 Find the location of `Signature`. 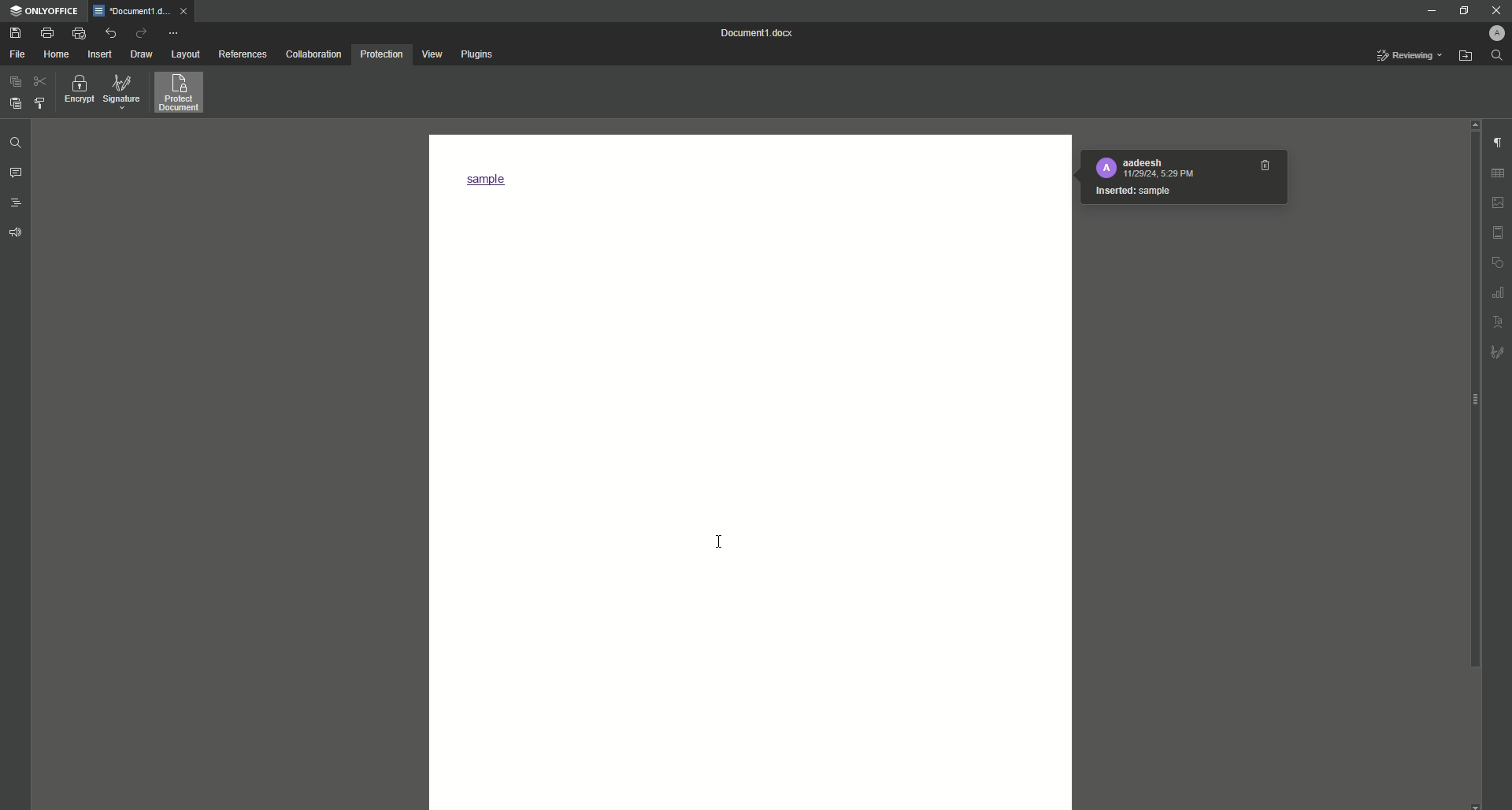

Signature is located at coordinates (122, 92).